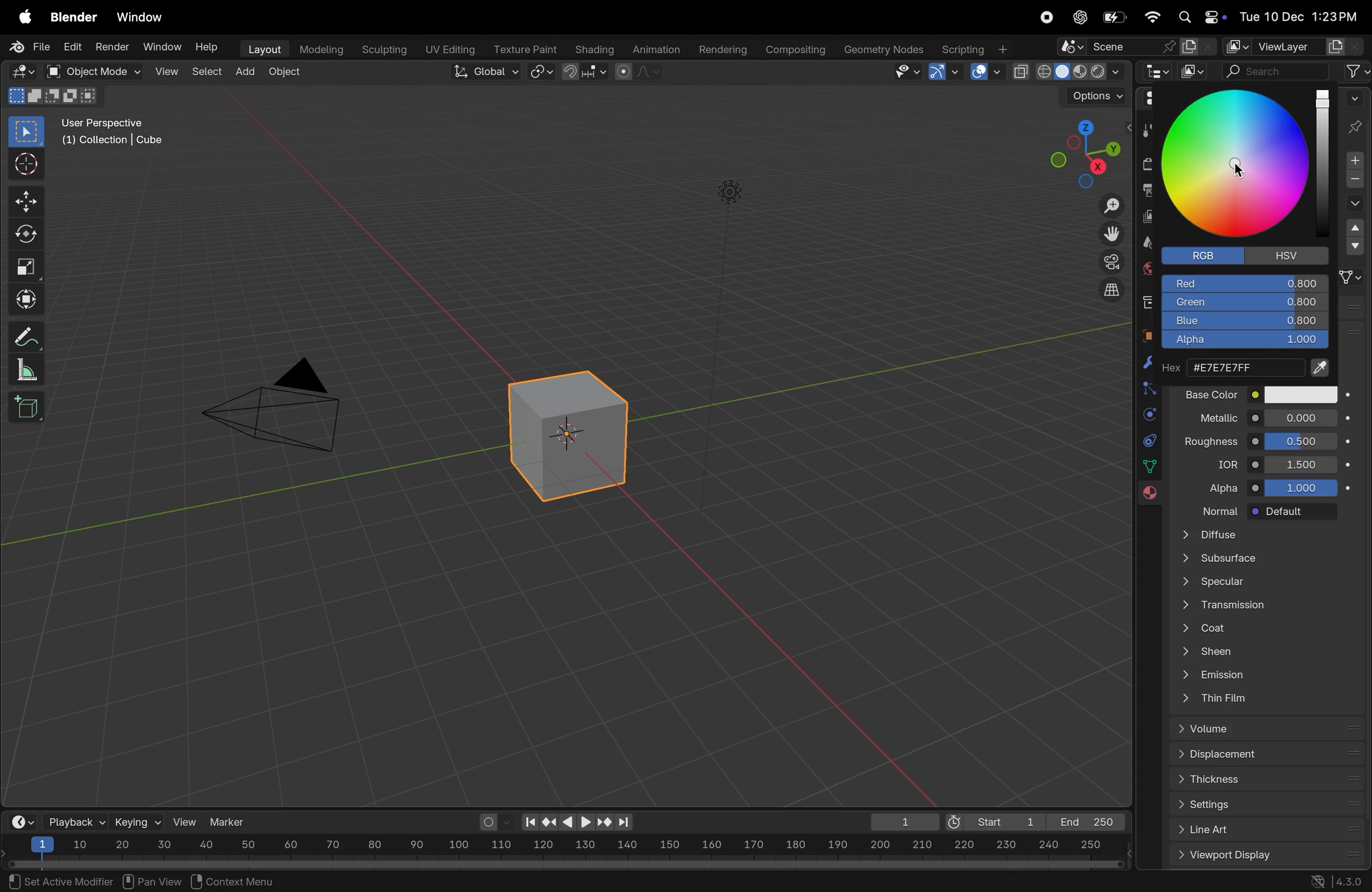 The width and height of the screenshot is (1372, 892). Describe the element at coordinates (24, 235) in the screenshot. I see `rotate` at that location.